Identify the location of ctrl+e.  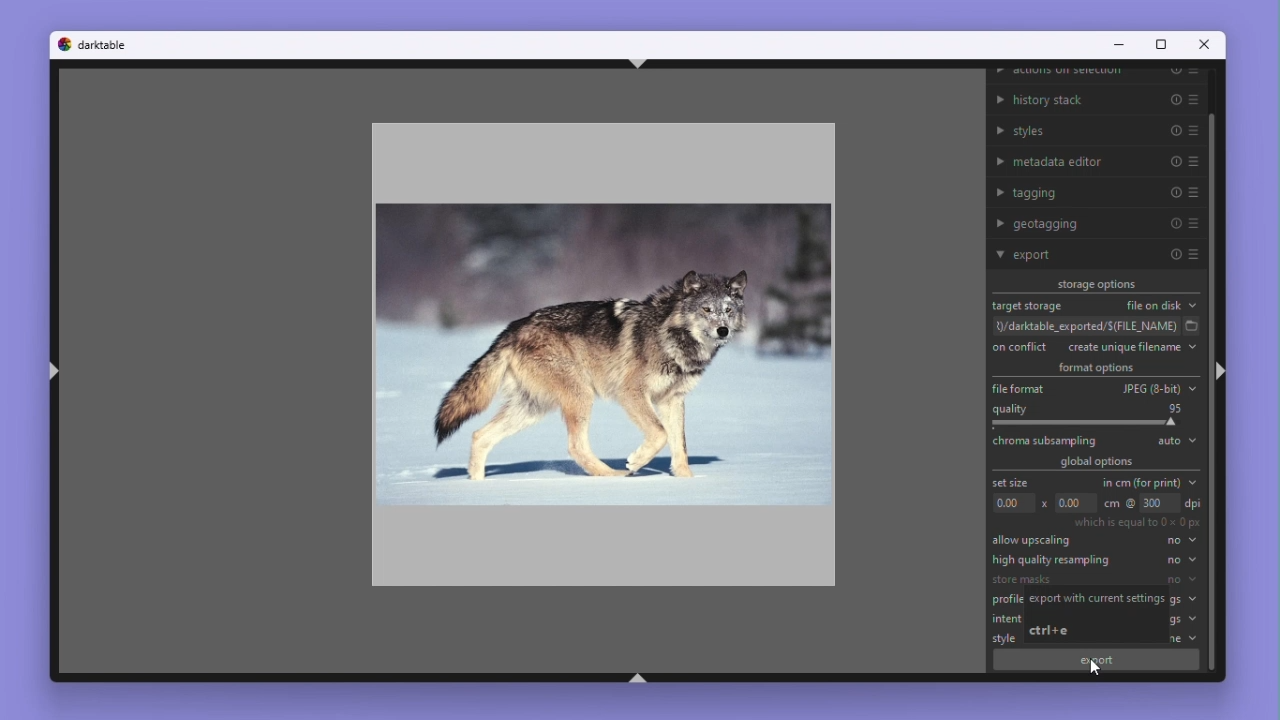
(1051, 629).